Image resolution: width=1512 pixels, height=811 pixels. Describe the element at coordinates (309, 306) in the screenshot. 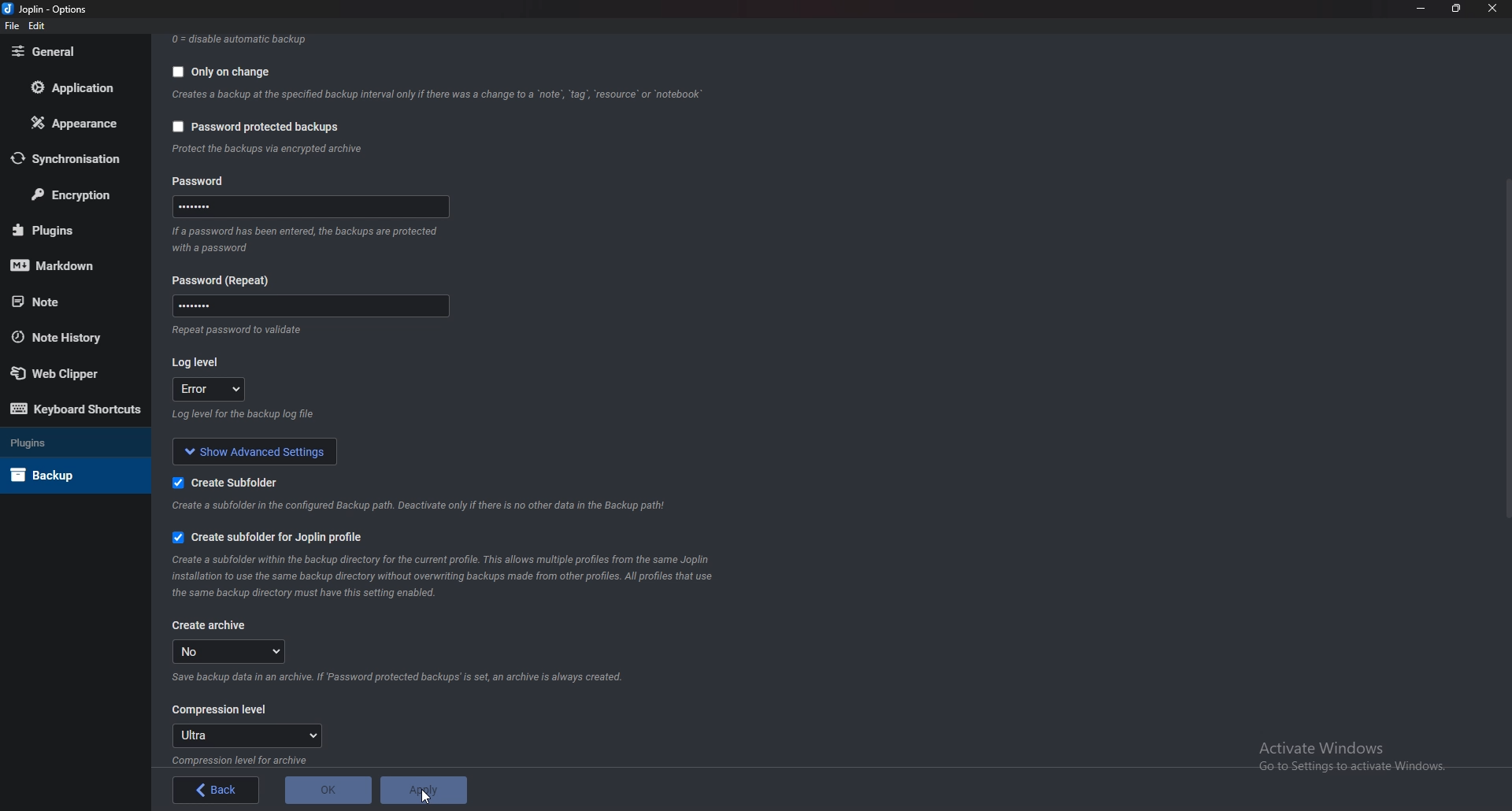

I see `Password` at that location.